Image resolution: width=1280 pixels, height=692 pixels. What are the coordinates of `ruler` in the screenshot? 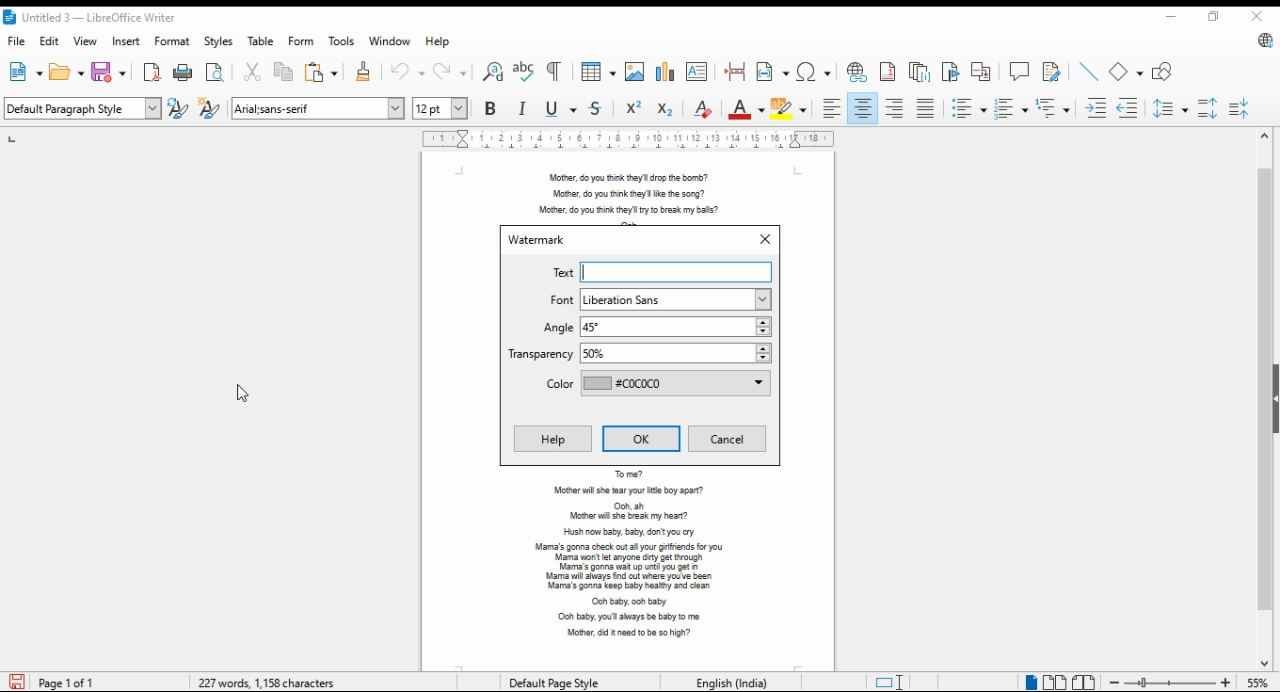 It's located at (627, 140).